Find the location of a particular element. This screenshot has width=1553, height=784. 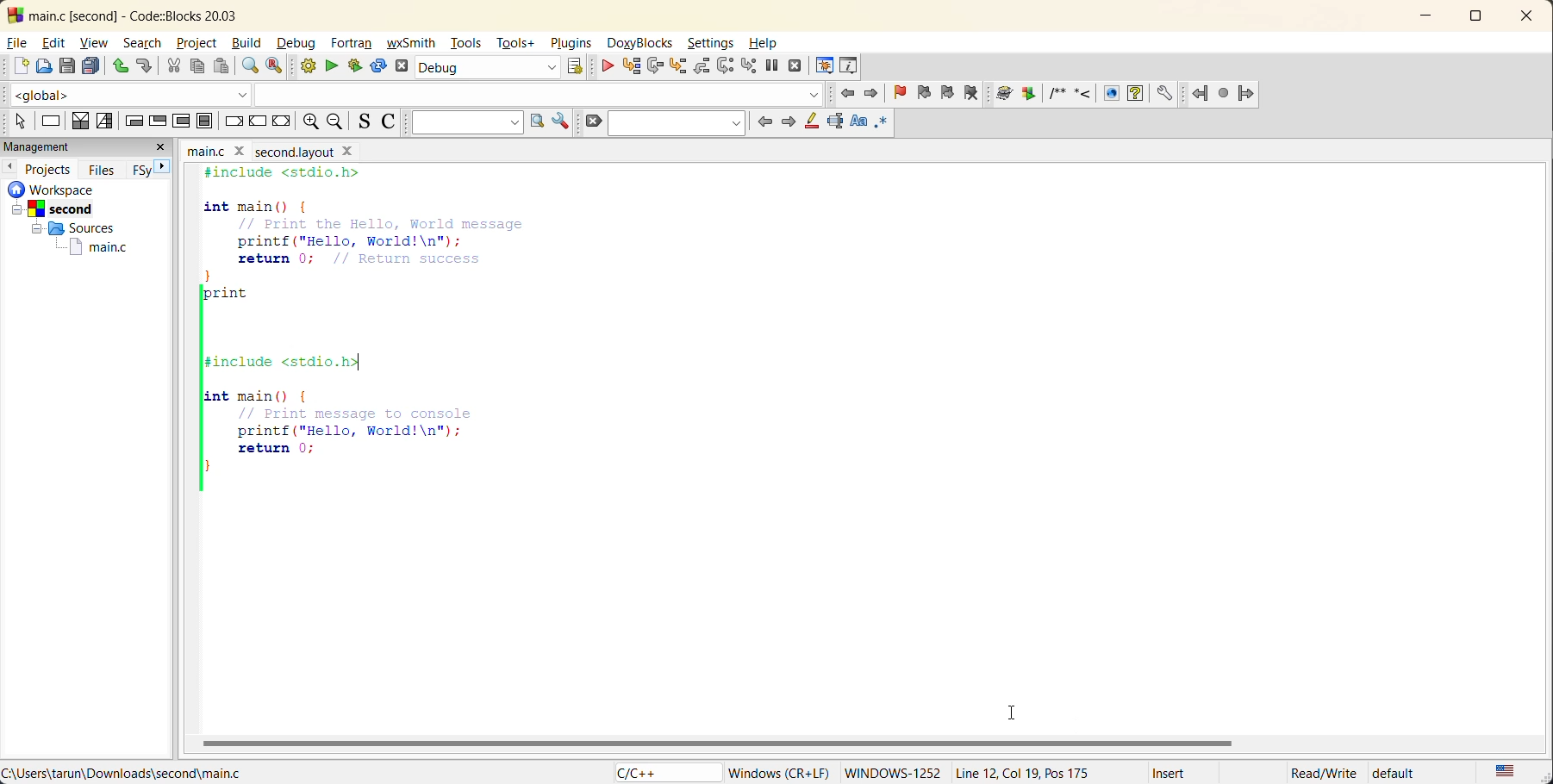

build target is located at coordinates (486, 66).